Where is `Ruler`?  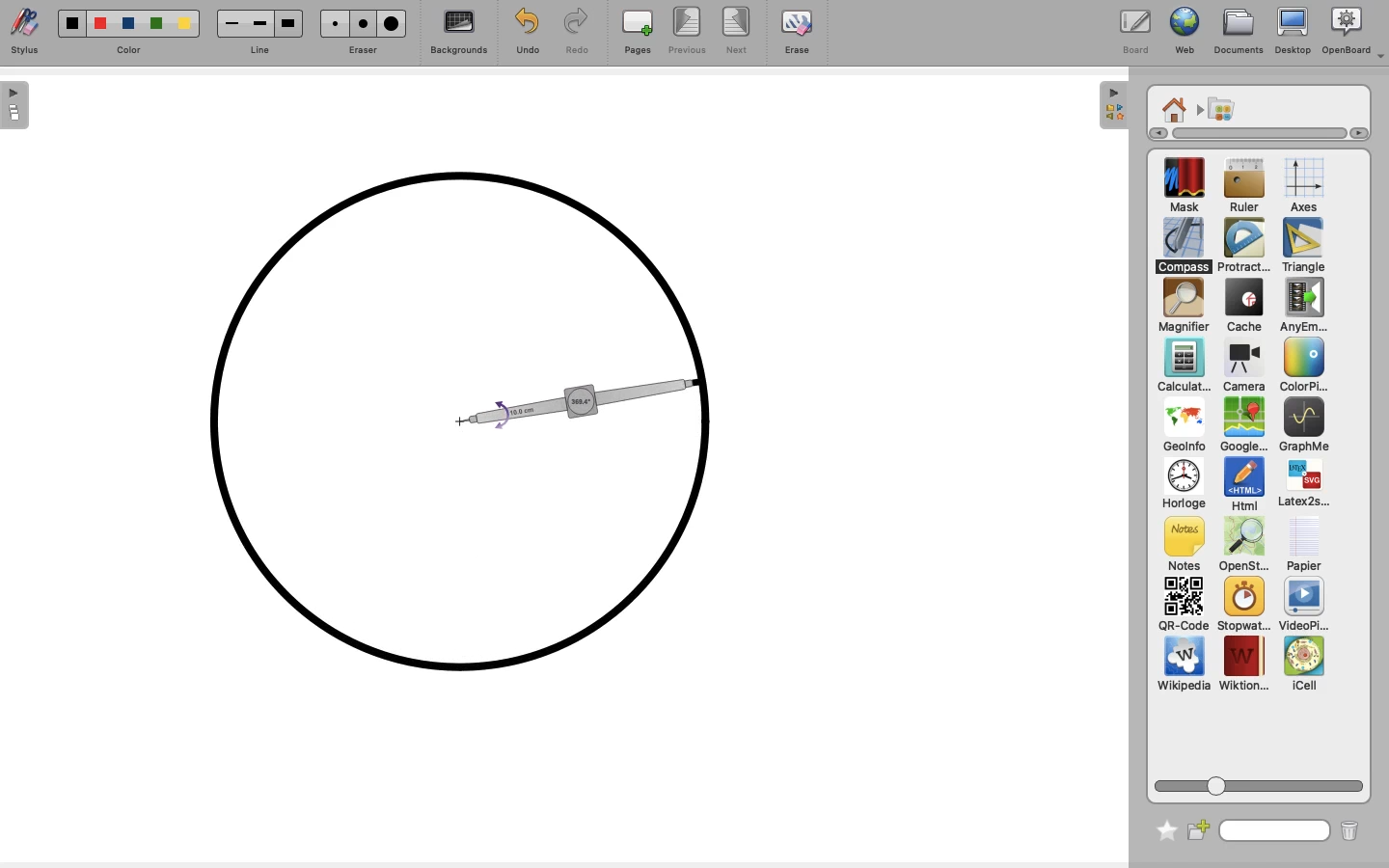 Ruler is located at coordinates (1244, 187).